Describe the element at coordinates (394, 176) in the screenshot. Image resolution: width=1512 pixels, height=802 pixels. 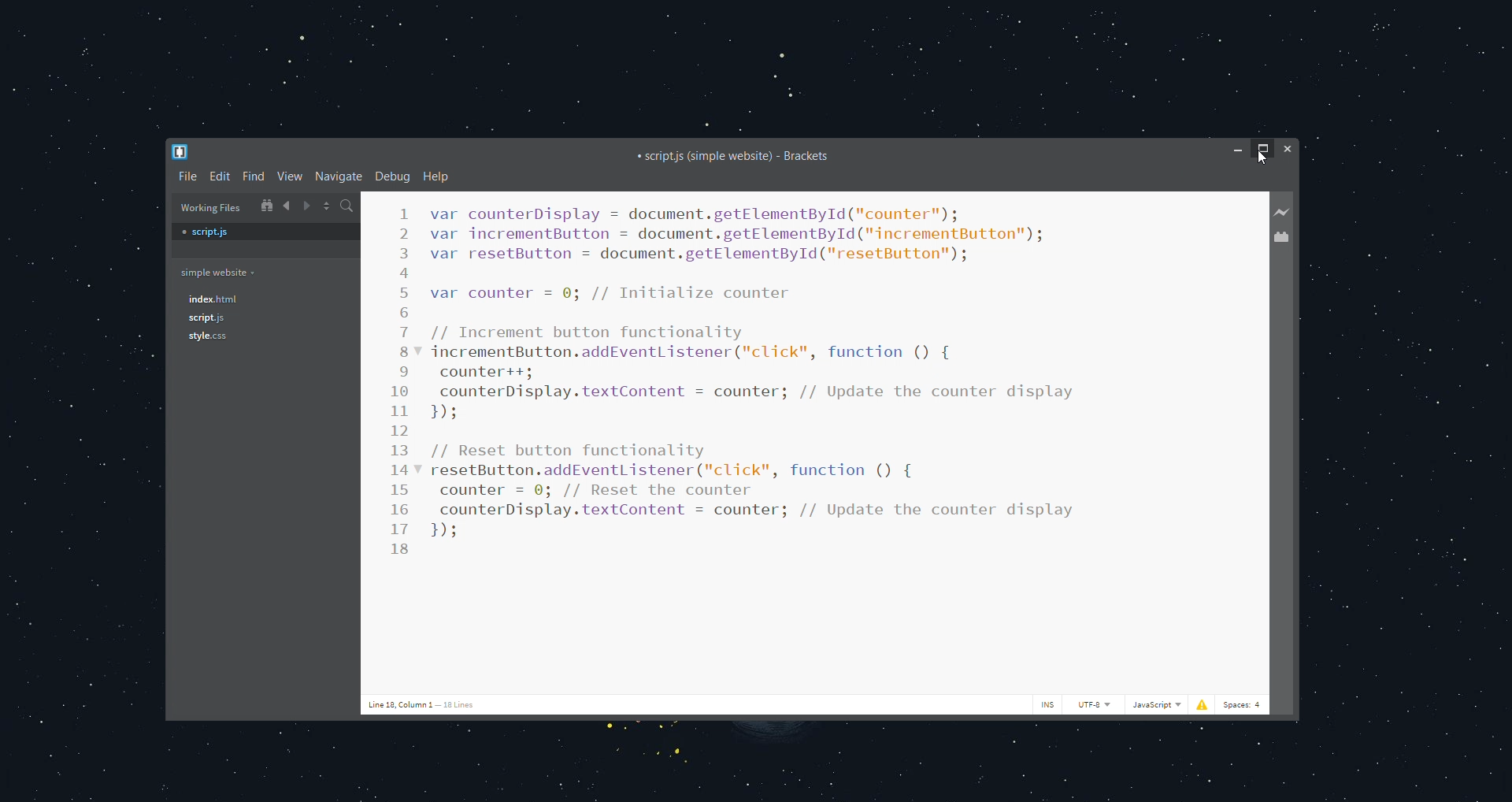
I see `debug` at that location.